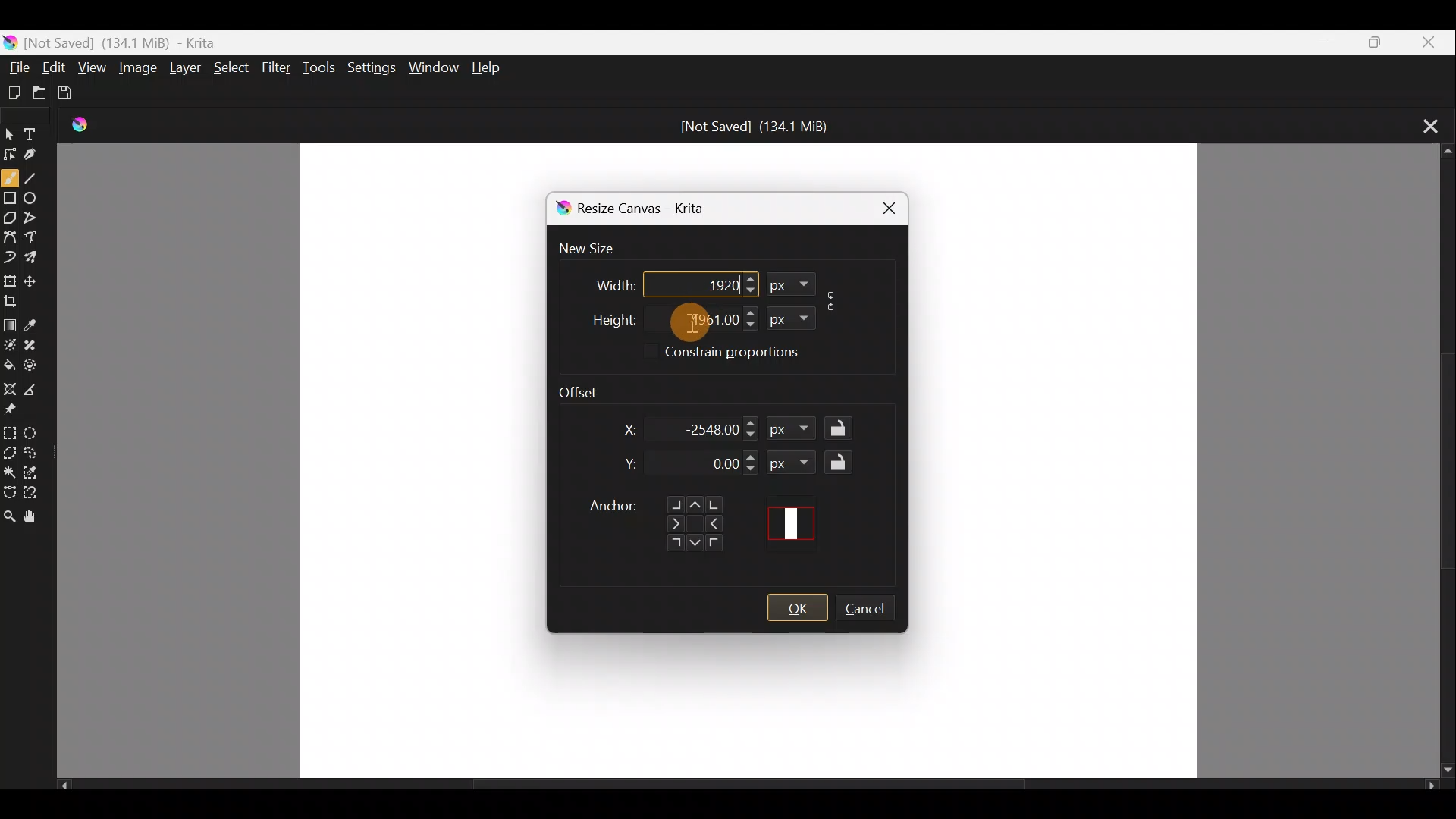 The image size is (1456, 819). I want to click on 4561.00, so click(692, 317).